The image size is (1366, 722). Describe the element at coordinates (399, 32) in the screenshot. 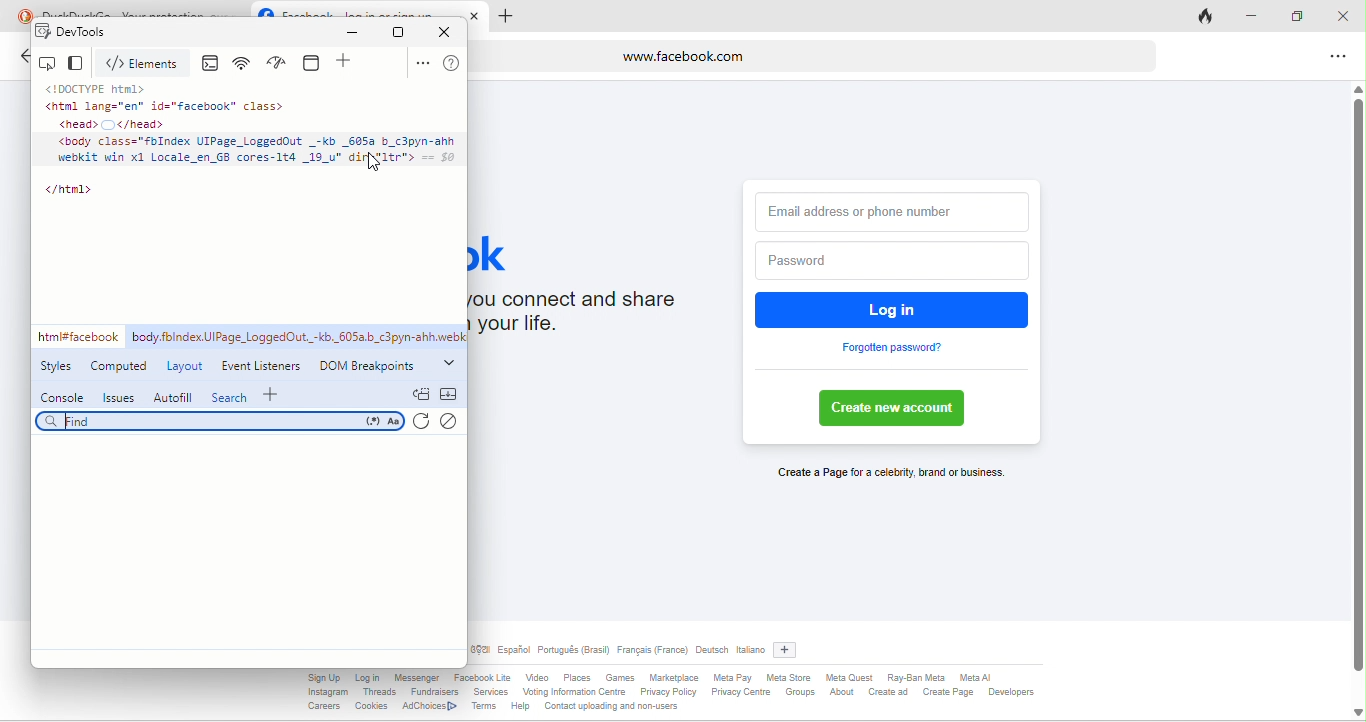

I see `maximize` at that location.